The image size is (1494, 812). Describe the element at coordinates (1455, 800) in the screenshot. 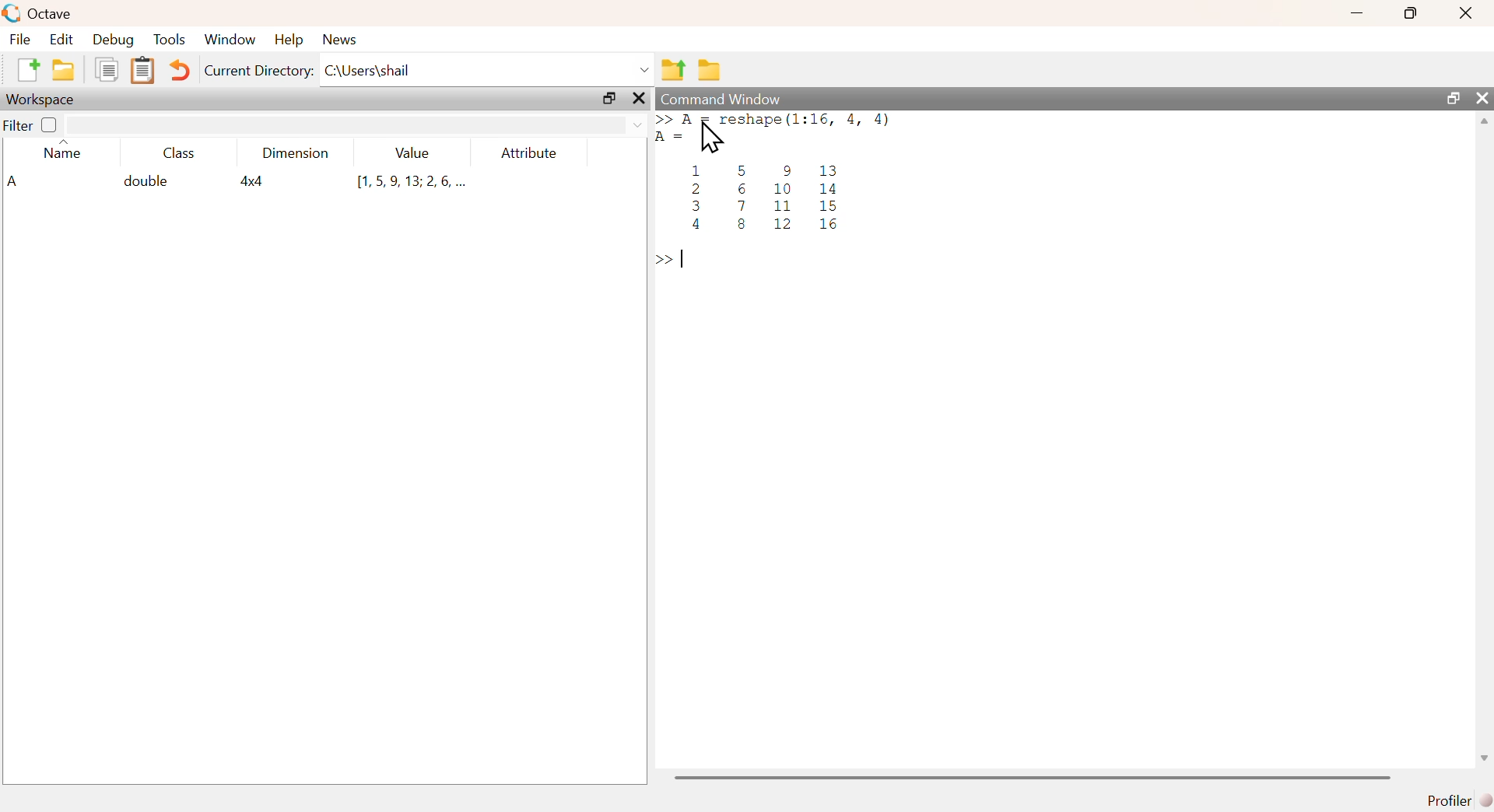

I see `profiler` at that location.